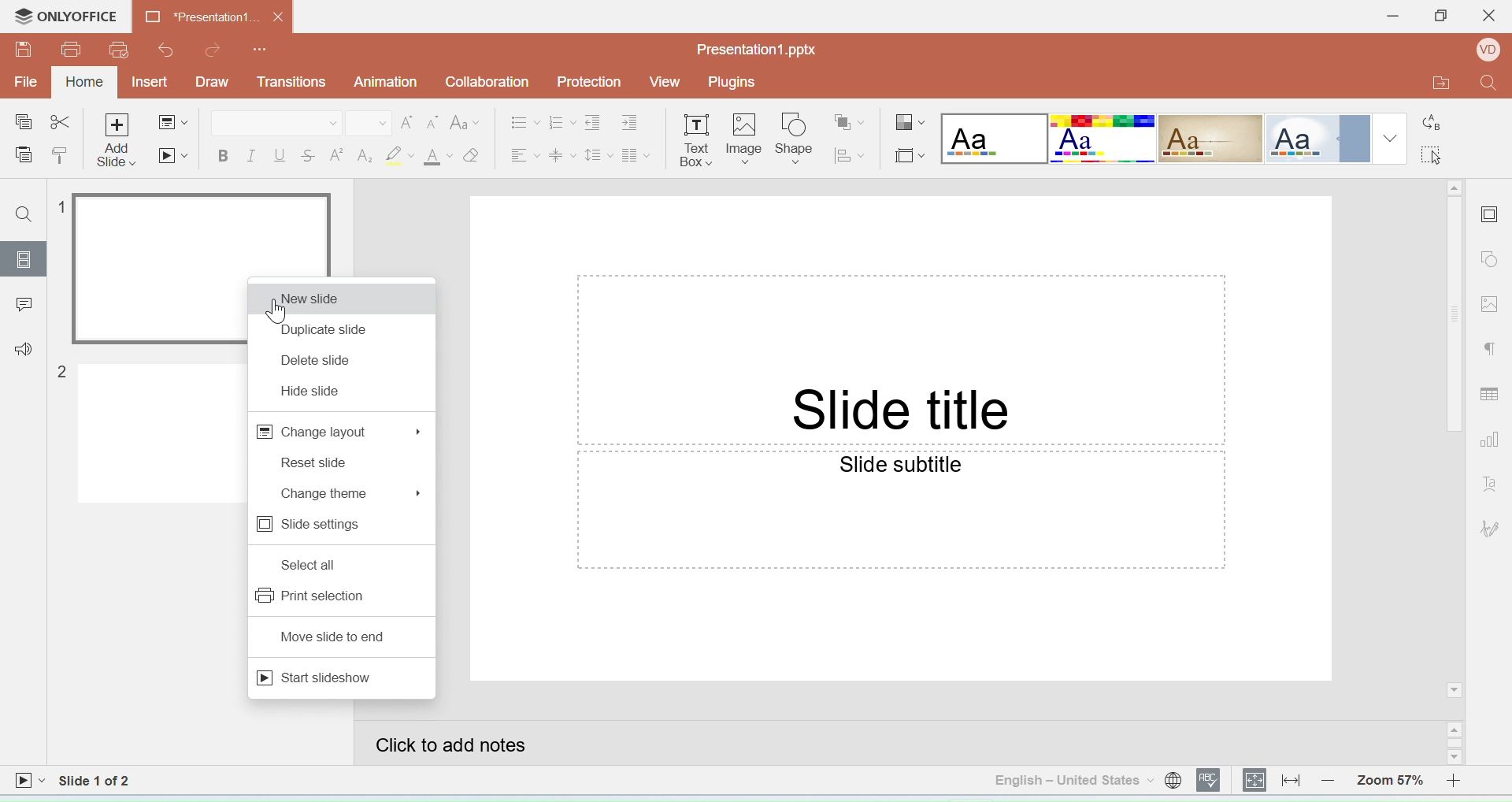  What do you see at coordinates (1455, 440) in the screenshot?
I see `Scroll bar` at bounding box center [1455, 440].